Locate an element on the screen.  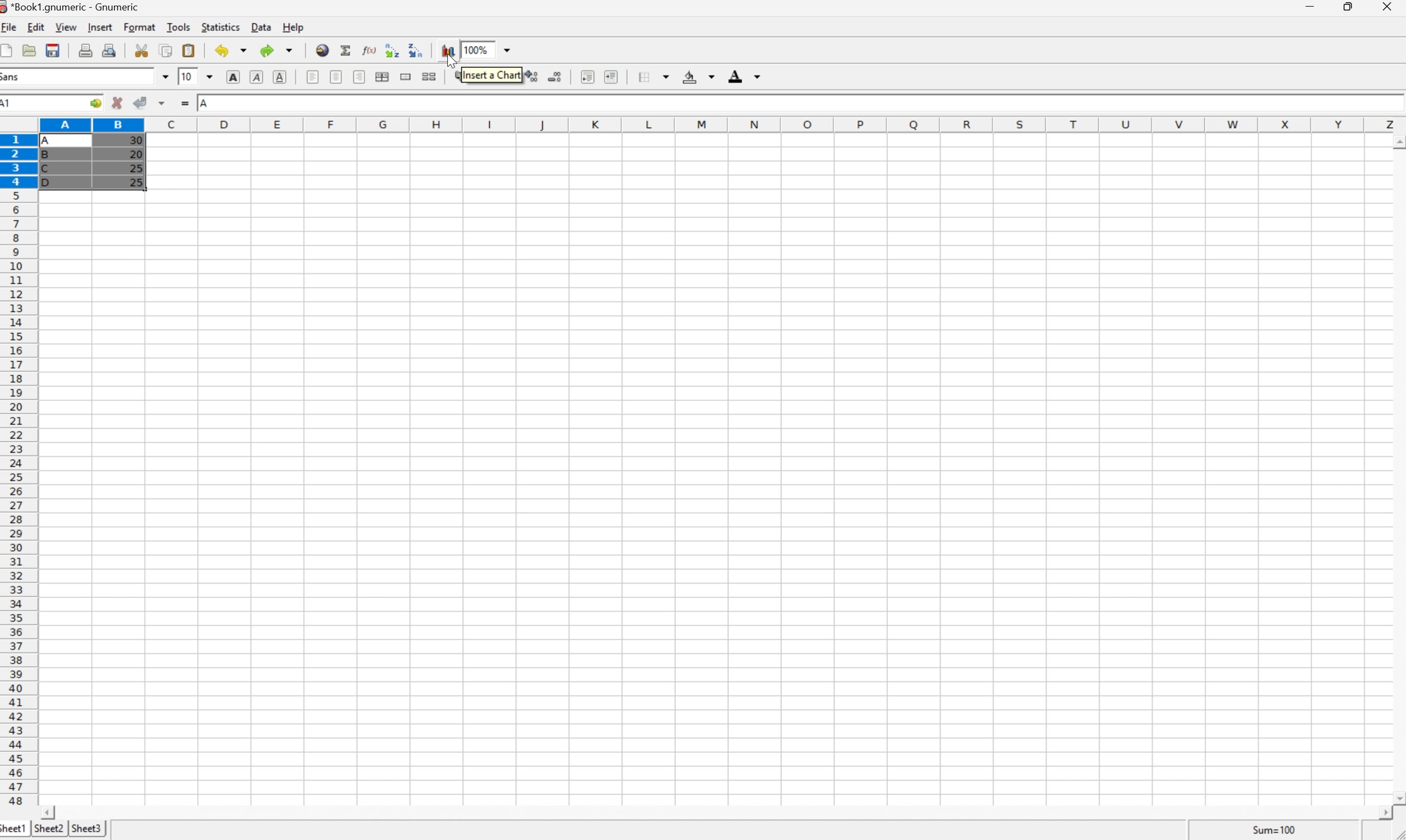
Data is located at coordinates (260, 27).